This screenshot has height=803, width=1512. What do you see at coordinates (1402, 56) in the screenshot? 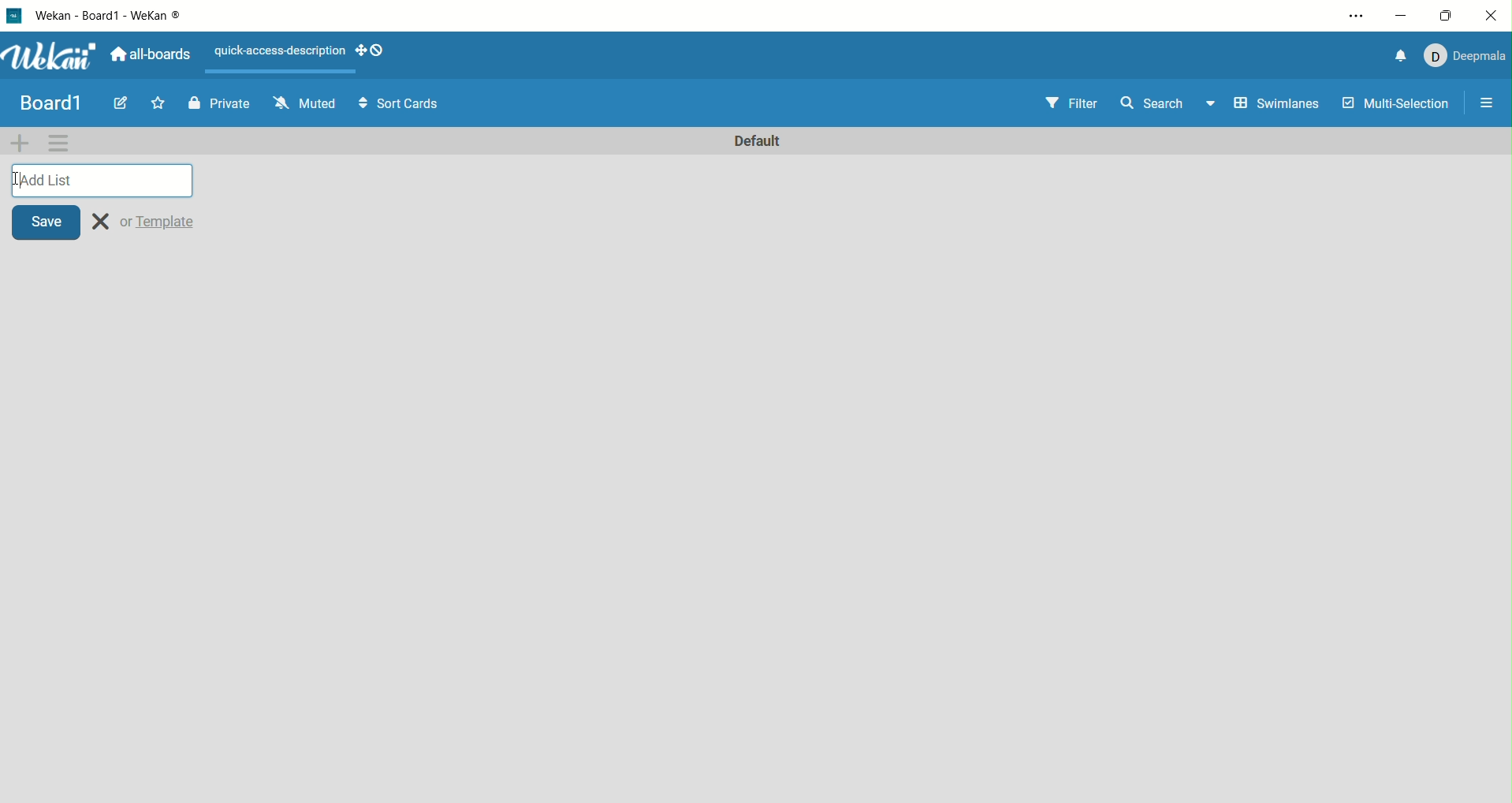
I see `notification` at bounding box center [1402, 56].